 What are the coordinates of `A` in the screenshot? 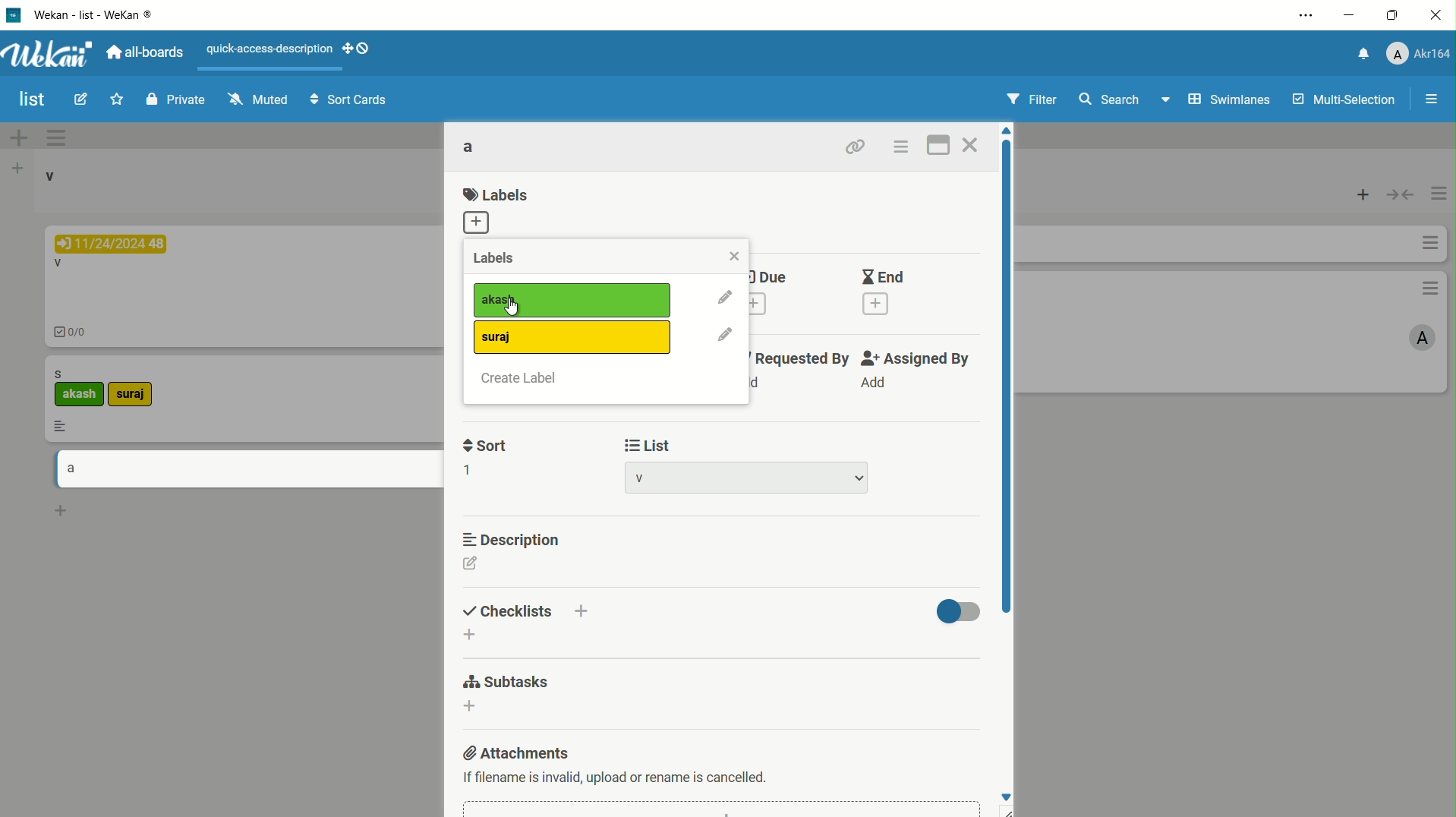 It's located at (1412, 339).